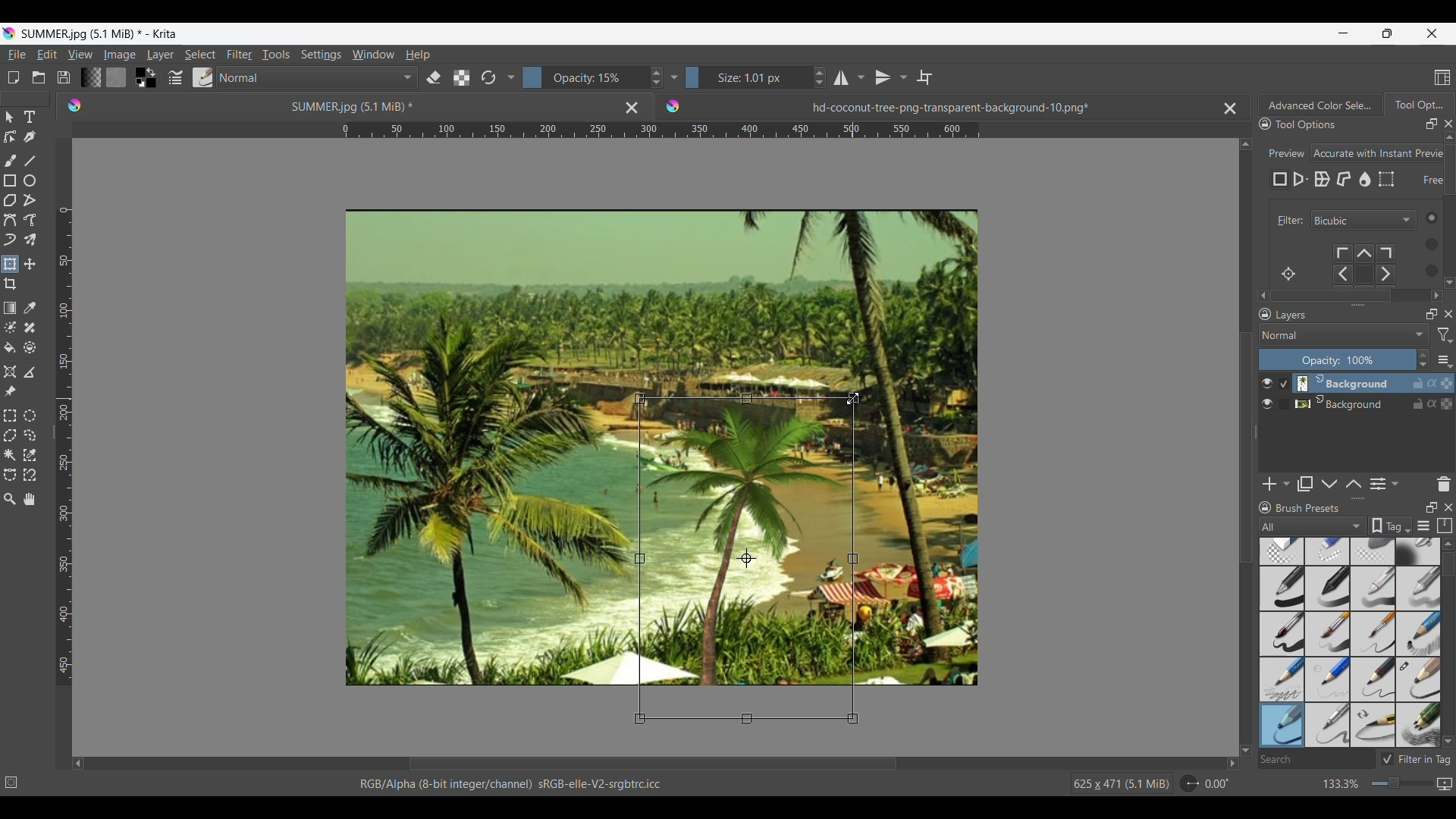  Describe the element at coordinates (1386, 179) in the screenshot. I see `Mesh` at that location.